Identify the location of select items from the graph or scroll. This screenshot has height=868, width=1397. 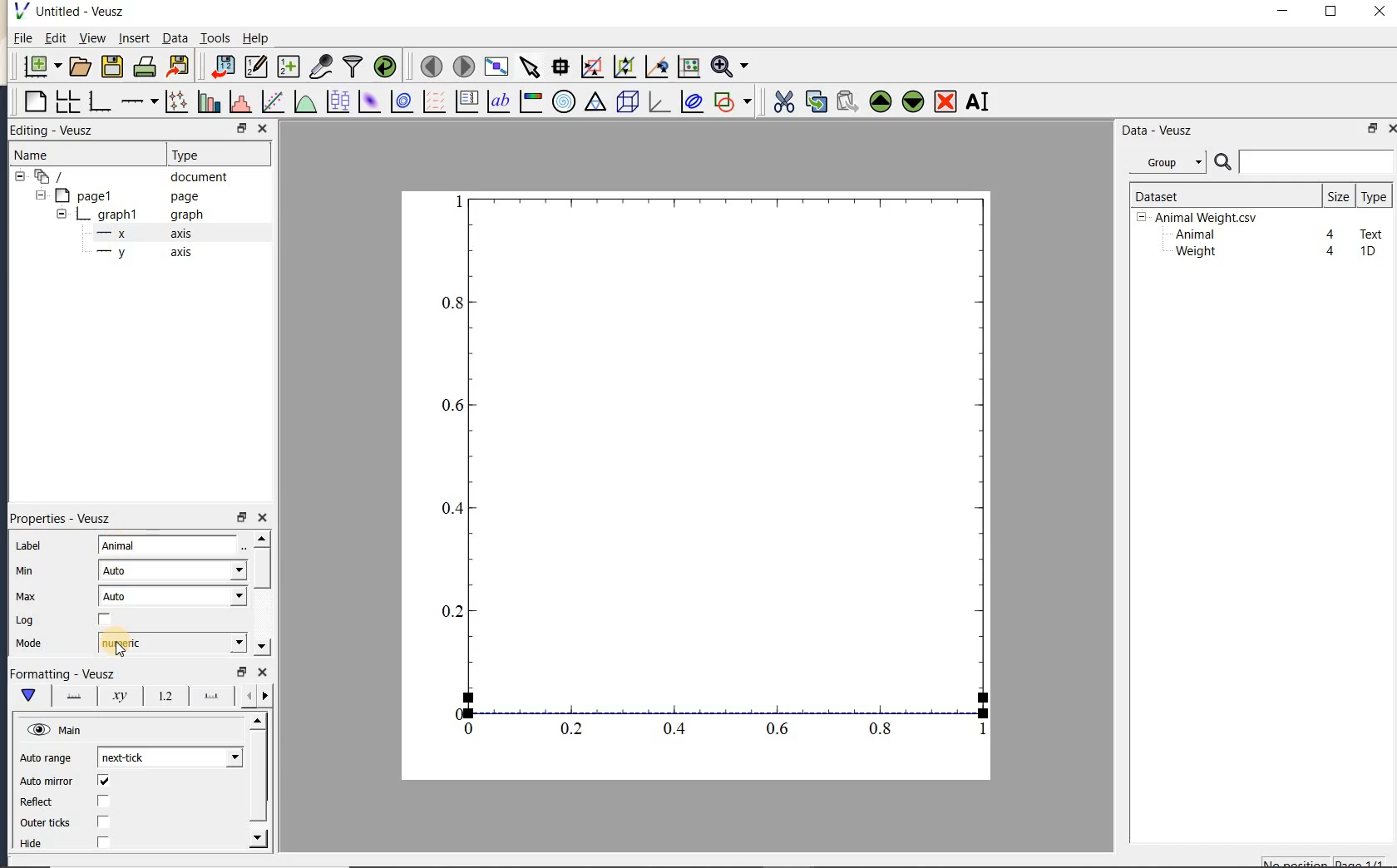
(531, 67).